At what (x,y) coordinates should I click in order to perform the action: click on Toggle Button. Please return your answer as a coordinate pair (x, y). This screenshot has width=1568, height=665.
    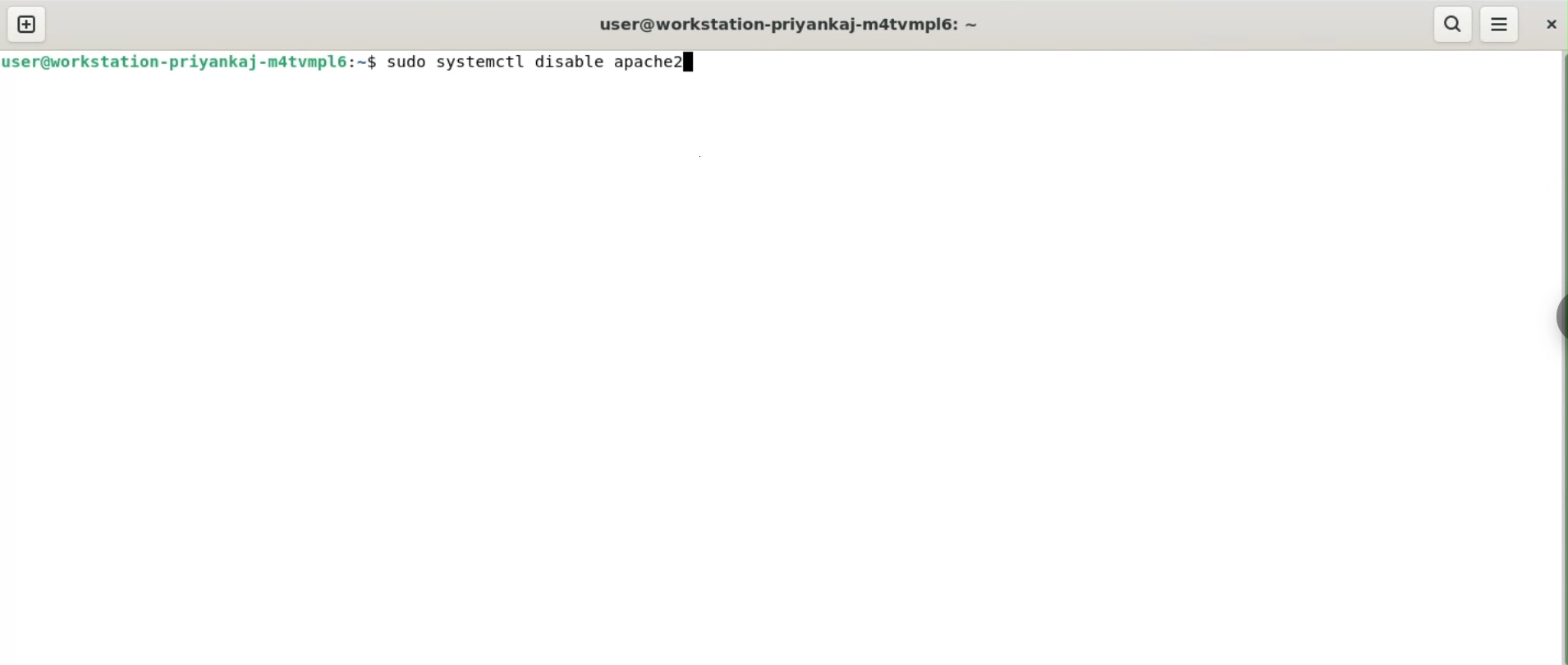
    Looking at the image, I should click on (1557, 326).